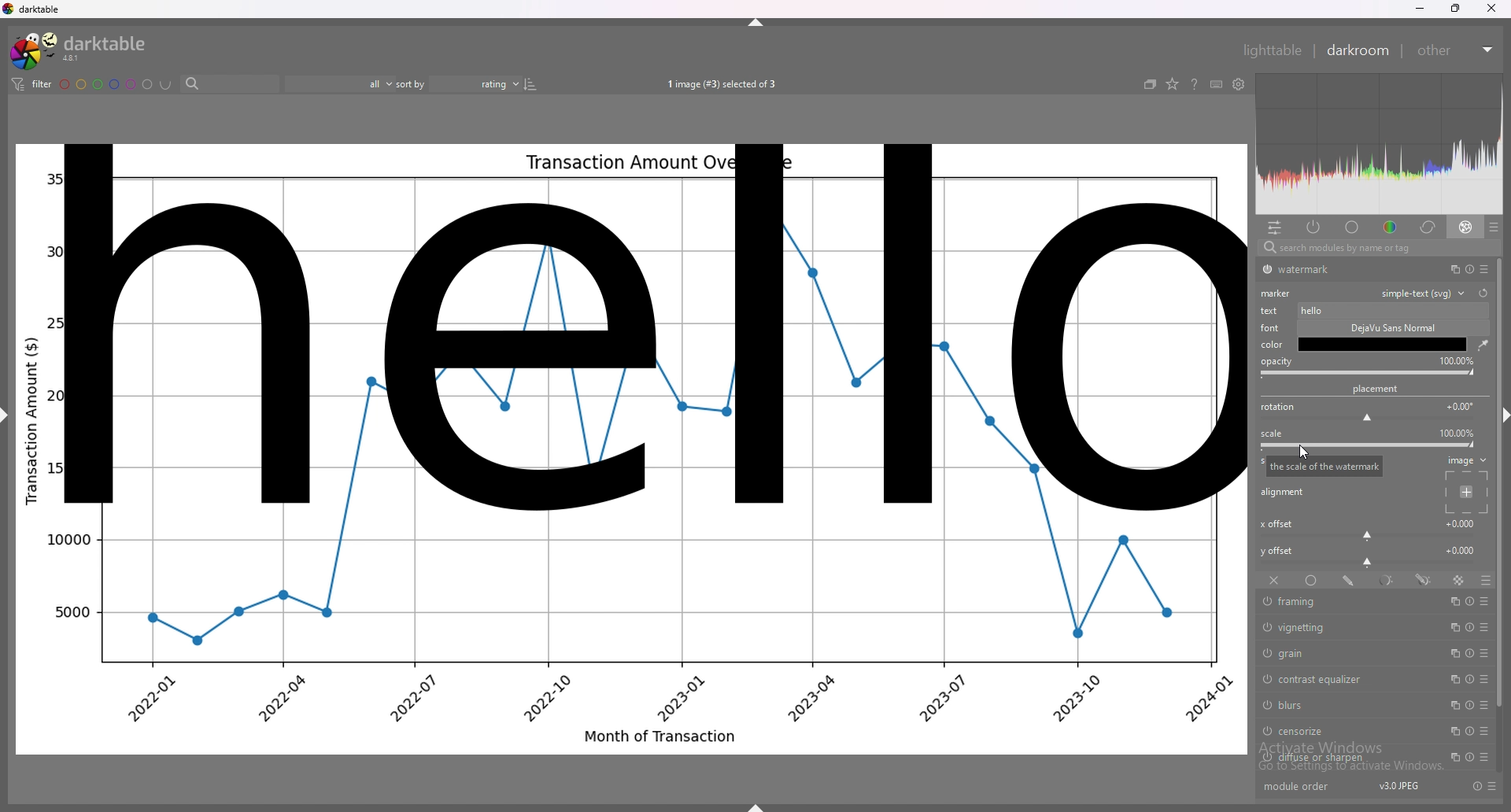 The height and width of the screenshot is (812, 1511). I want to click on content, so click(1391, 310).